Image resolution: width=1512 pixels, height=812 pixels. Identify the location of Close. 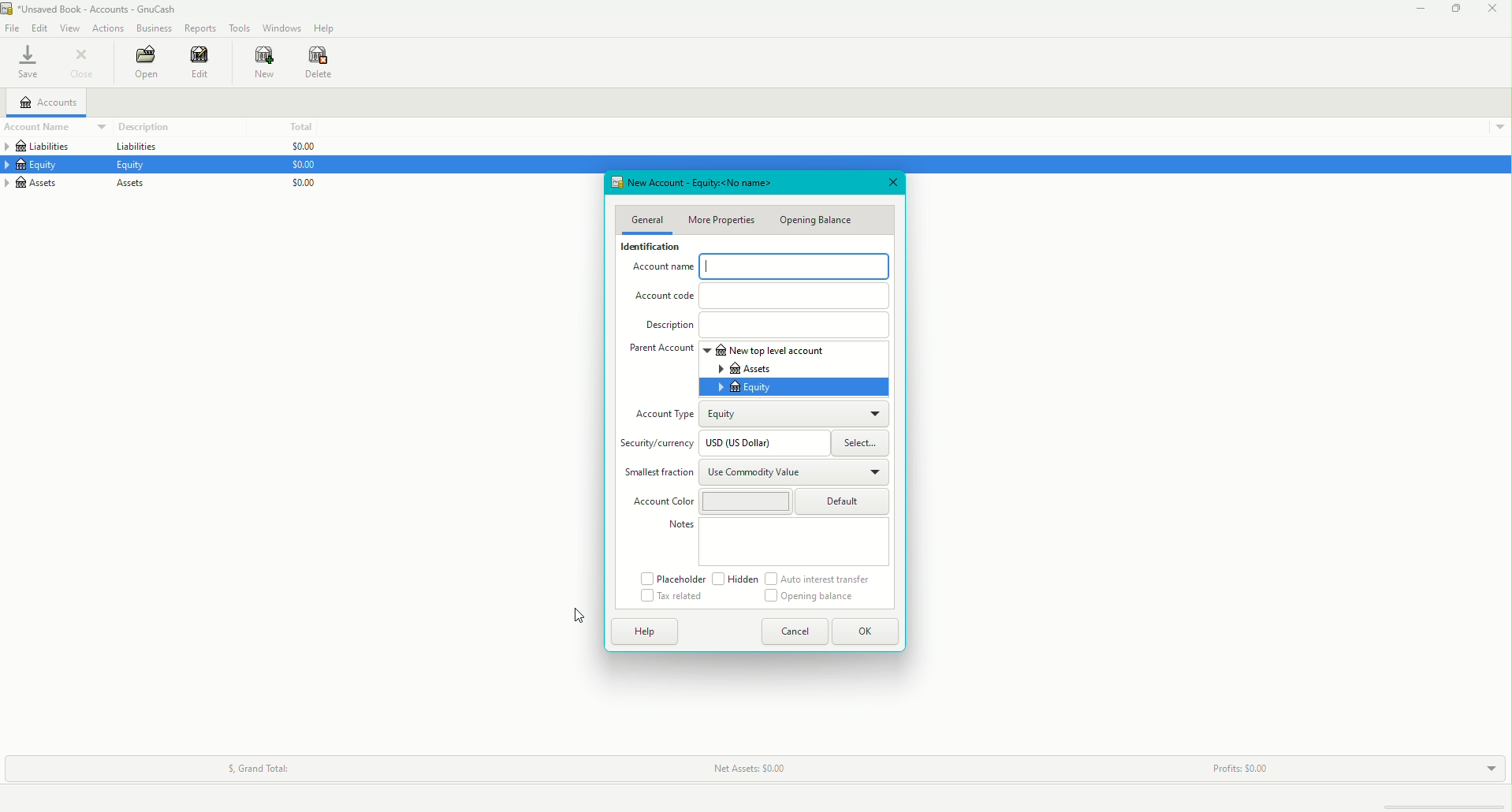
(892, 184).